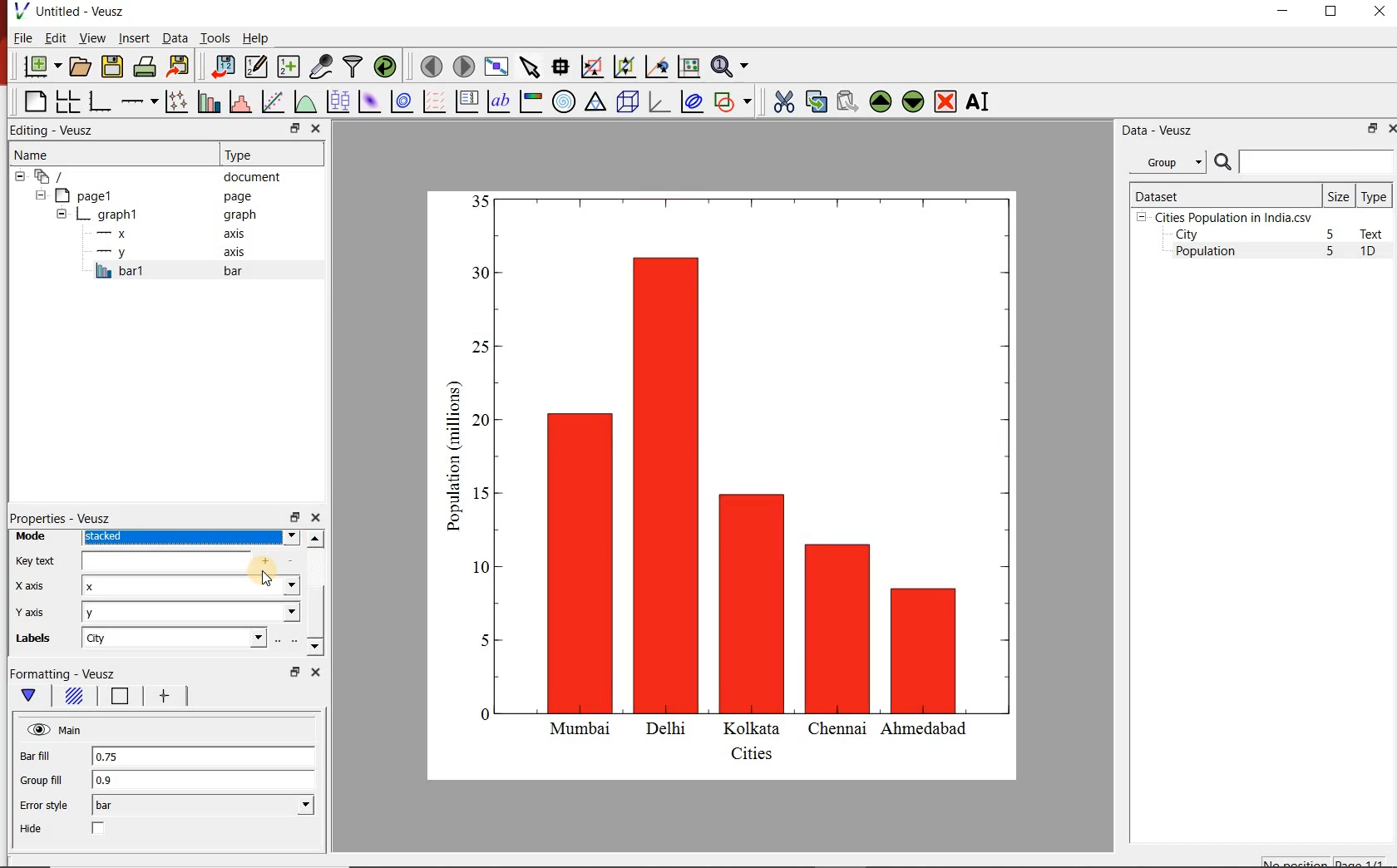 This screenshot has height=868, width=1397. Describe the element at coordinates (1223, 195) in the screenshot. I see `Dataset` at that location.